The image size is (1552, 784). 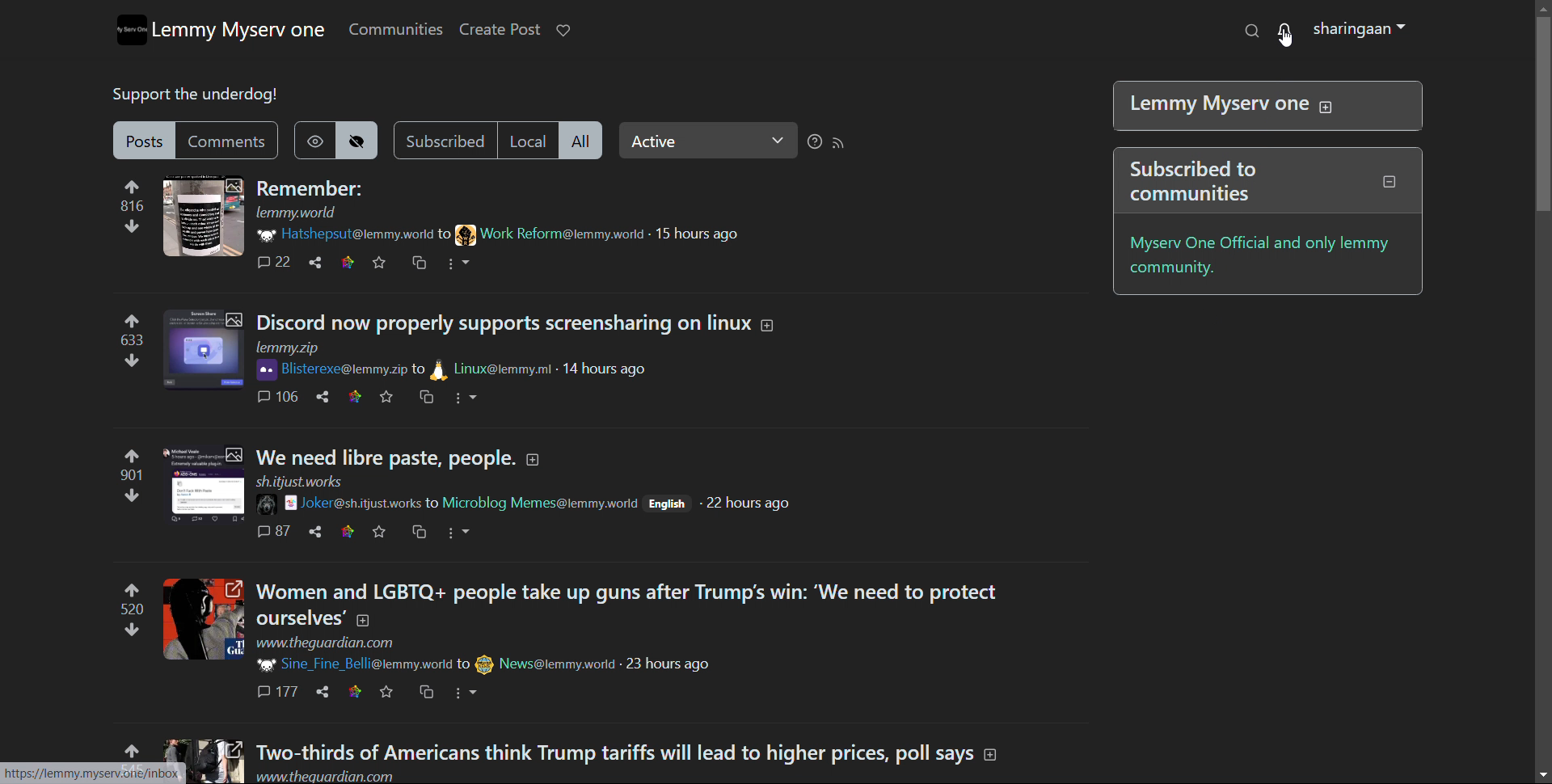 I want to click on url, so click(x=324, y=643).